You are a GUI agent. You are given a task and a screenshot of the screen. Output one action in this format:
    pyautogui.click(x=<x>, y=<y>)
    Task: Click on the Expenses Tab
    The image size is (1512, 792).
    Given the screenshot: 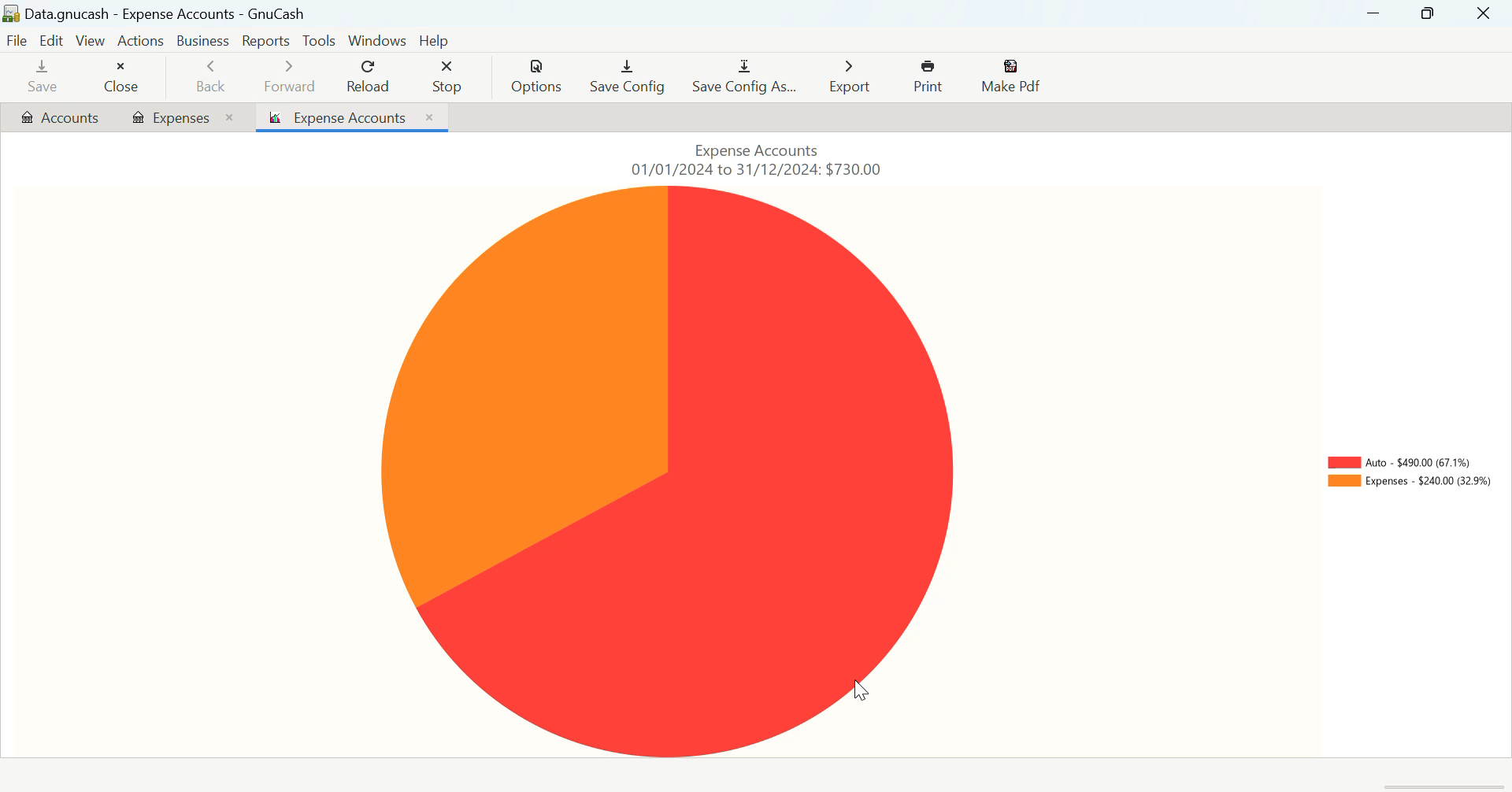 What is the action you would take?
    pyautogui.click(x=183, y=117)
    